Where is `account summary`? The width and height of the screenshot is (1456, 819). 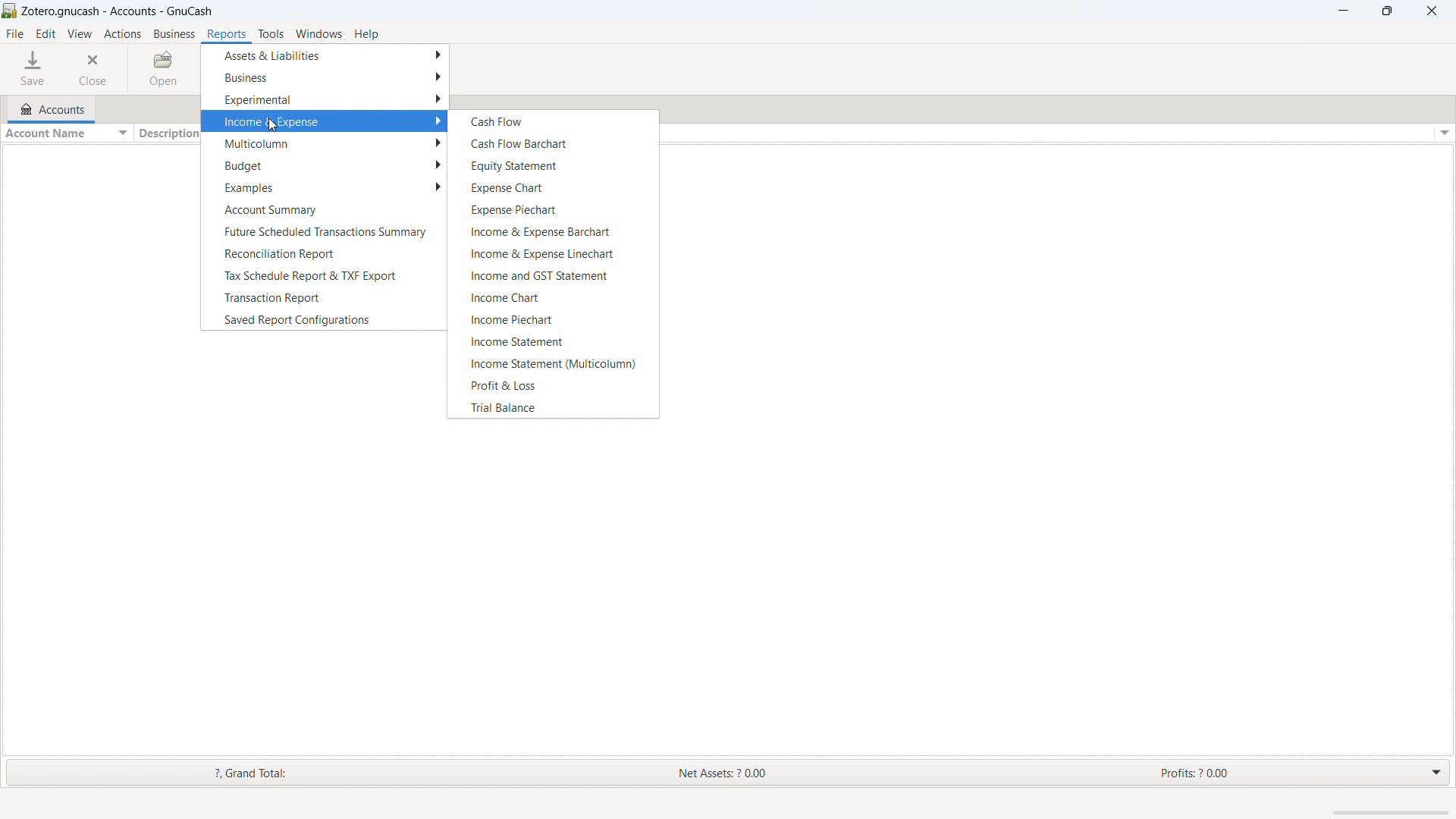 account summary is located at coordinates (322, 209).